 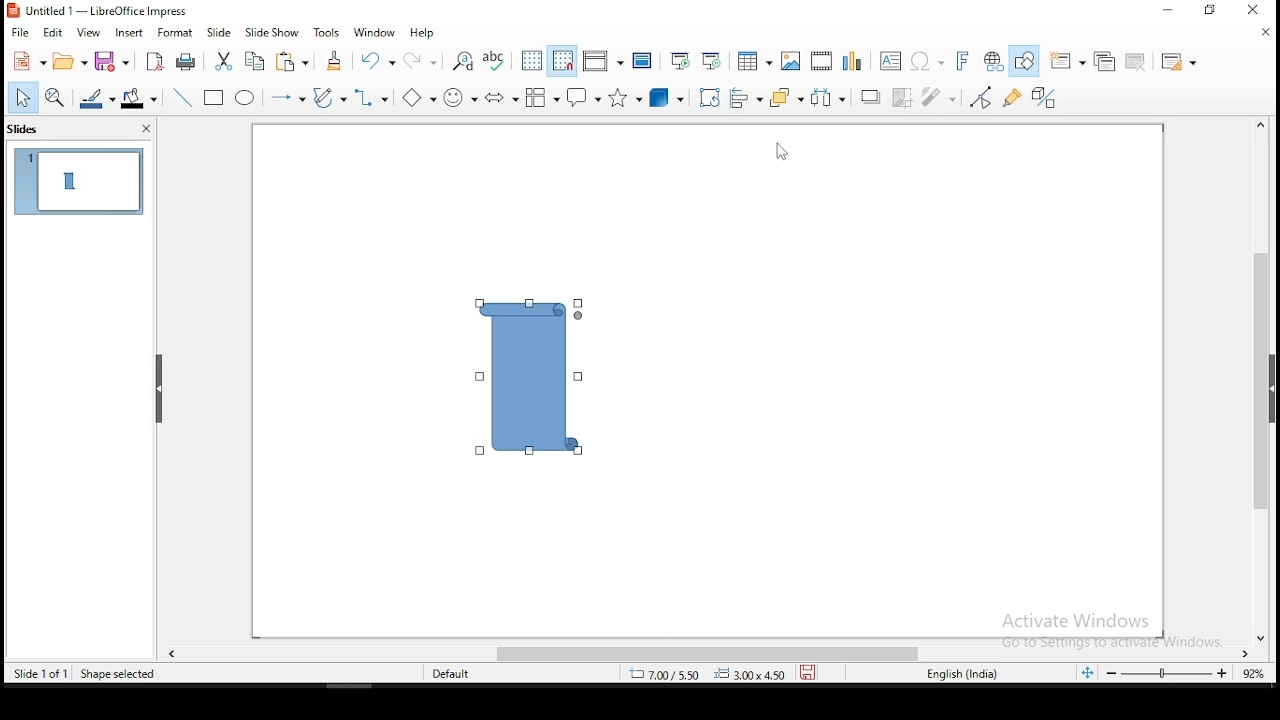 What do you see at coordinates (823, 60) in the screenshot?
I see `insert audio or video` at bounding box center [823, 60].